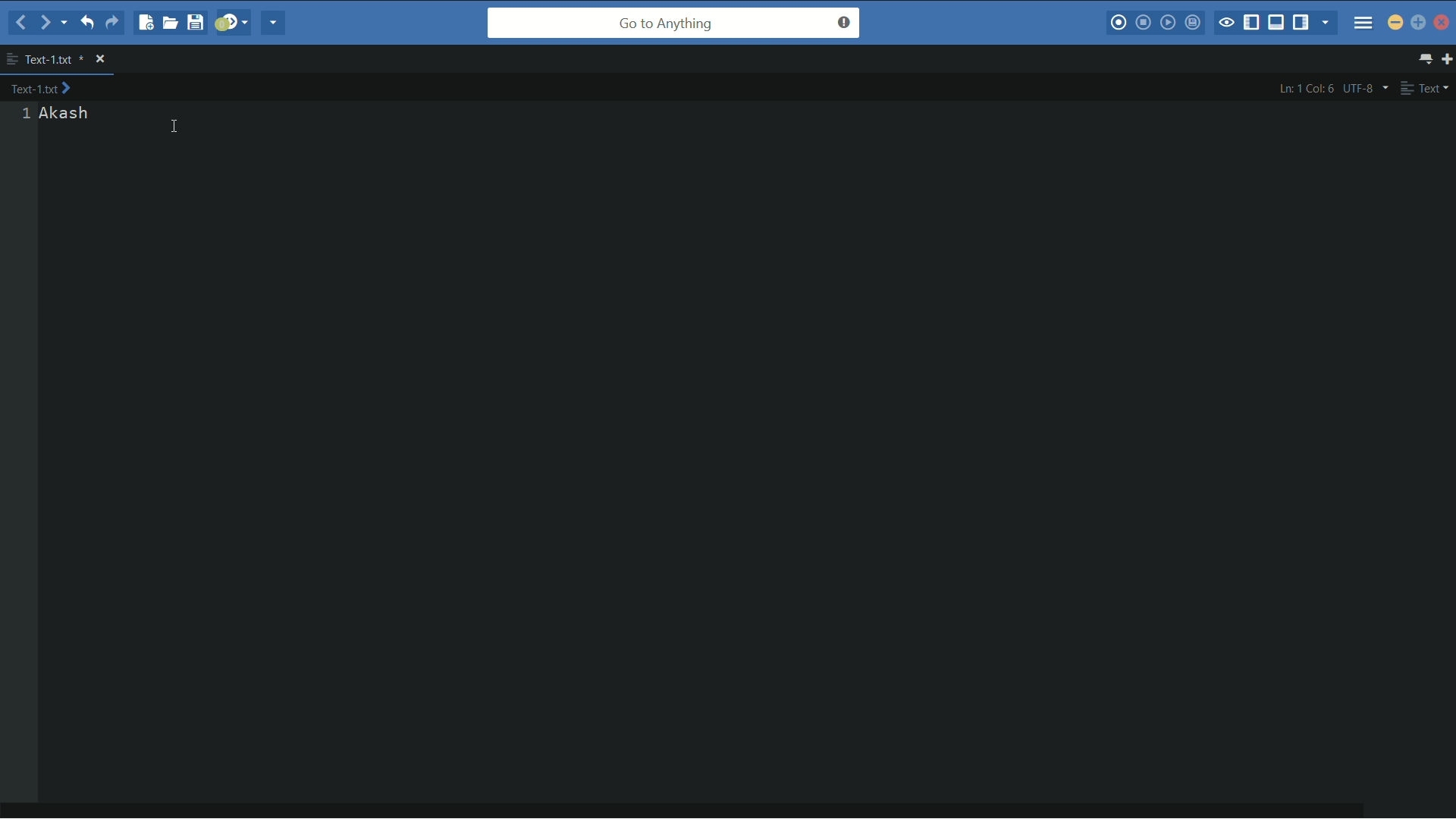 The image size is (1456, 819). Describe the element at coordinates (1304, 88) in the screenshot. I see `Line 1 Column 6` at that location.